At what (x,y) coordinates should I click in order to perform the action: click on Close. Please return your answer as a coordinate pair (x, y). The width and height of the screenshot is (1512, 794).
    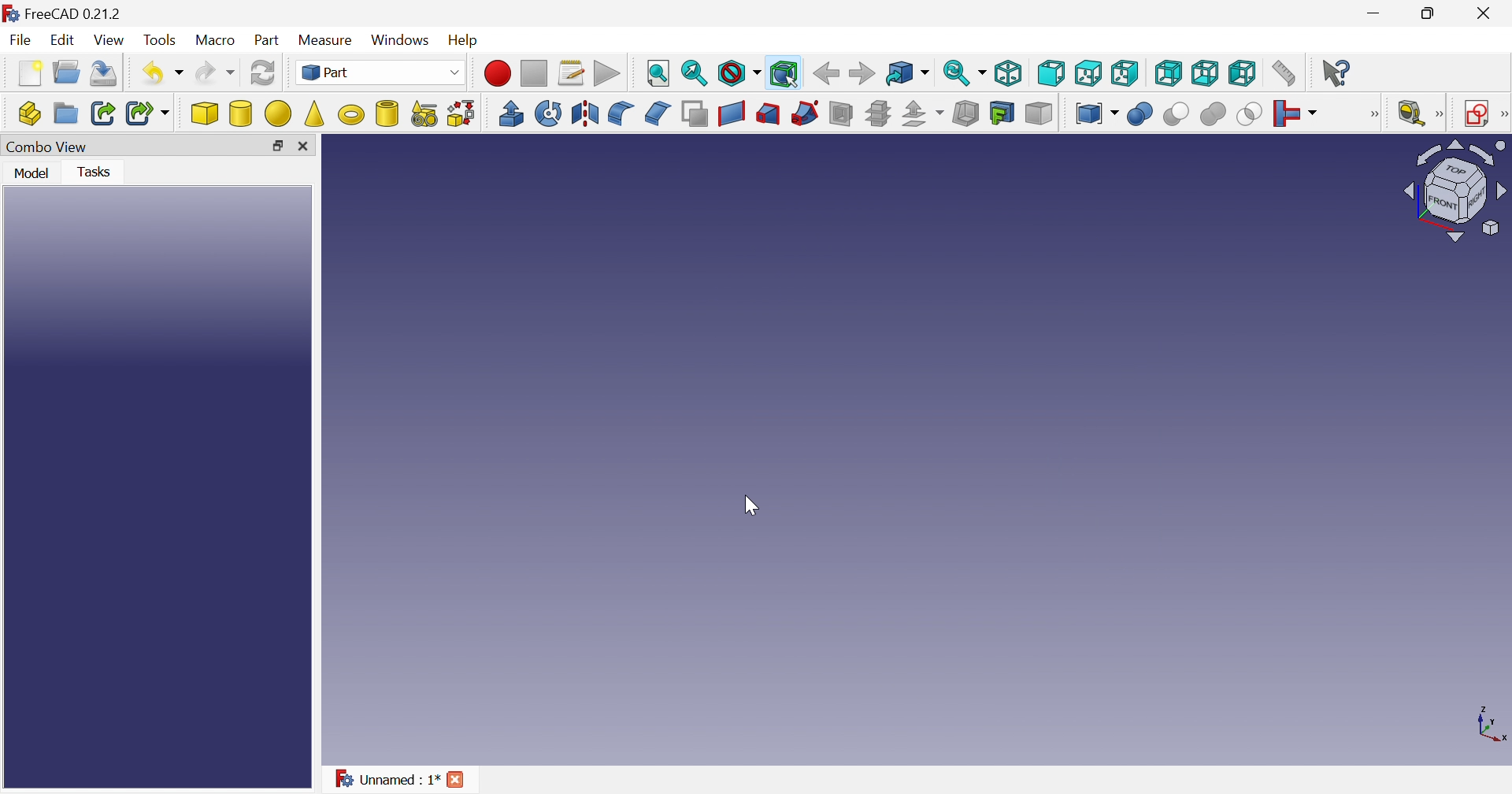
    Looking at the image, I should click on (458, 778).